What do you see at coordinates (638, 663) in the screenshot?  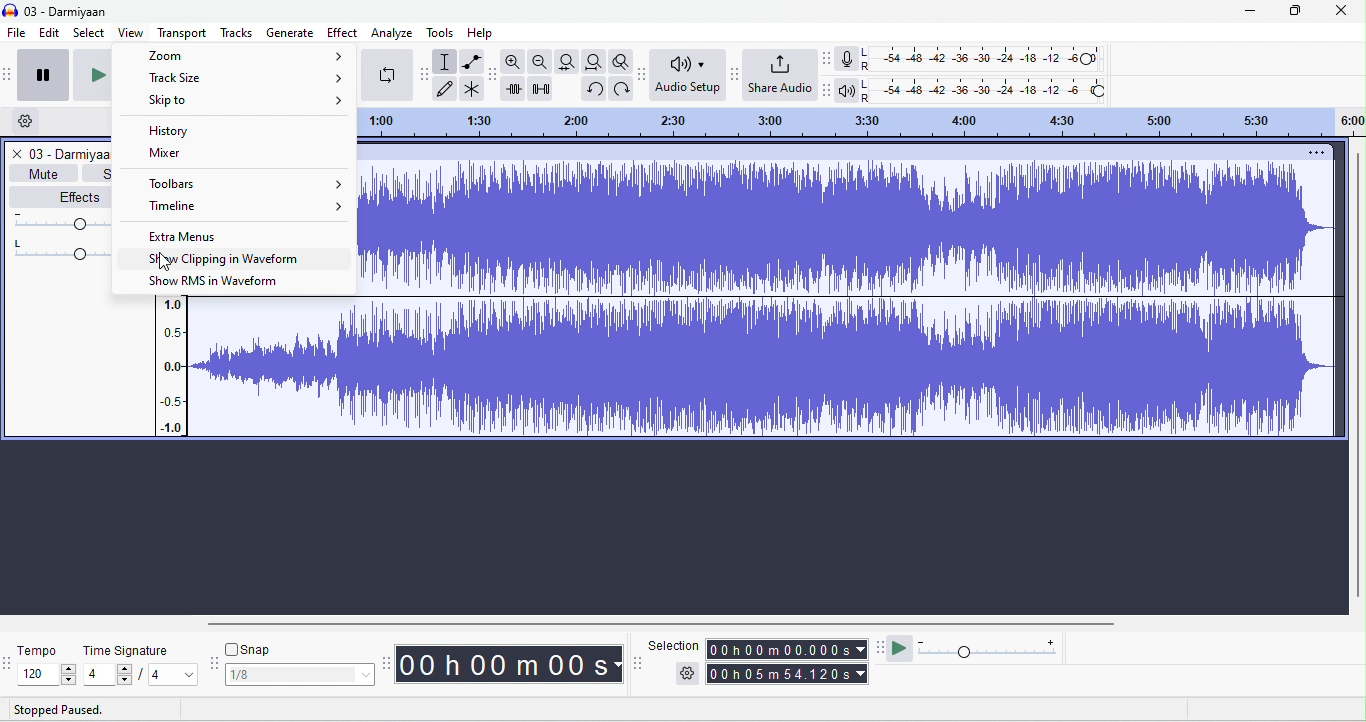 I see `selection toolbar` at bounding box center [638, 663].